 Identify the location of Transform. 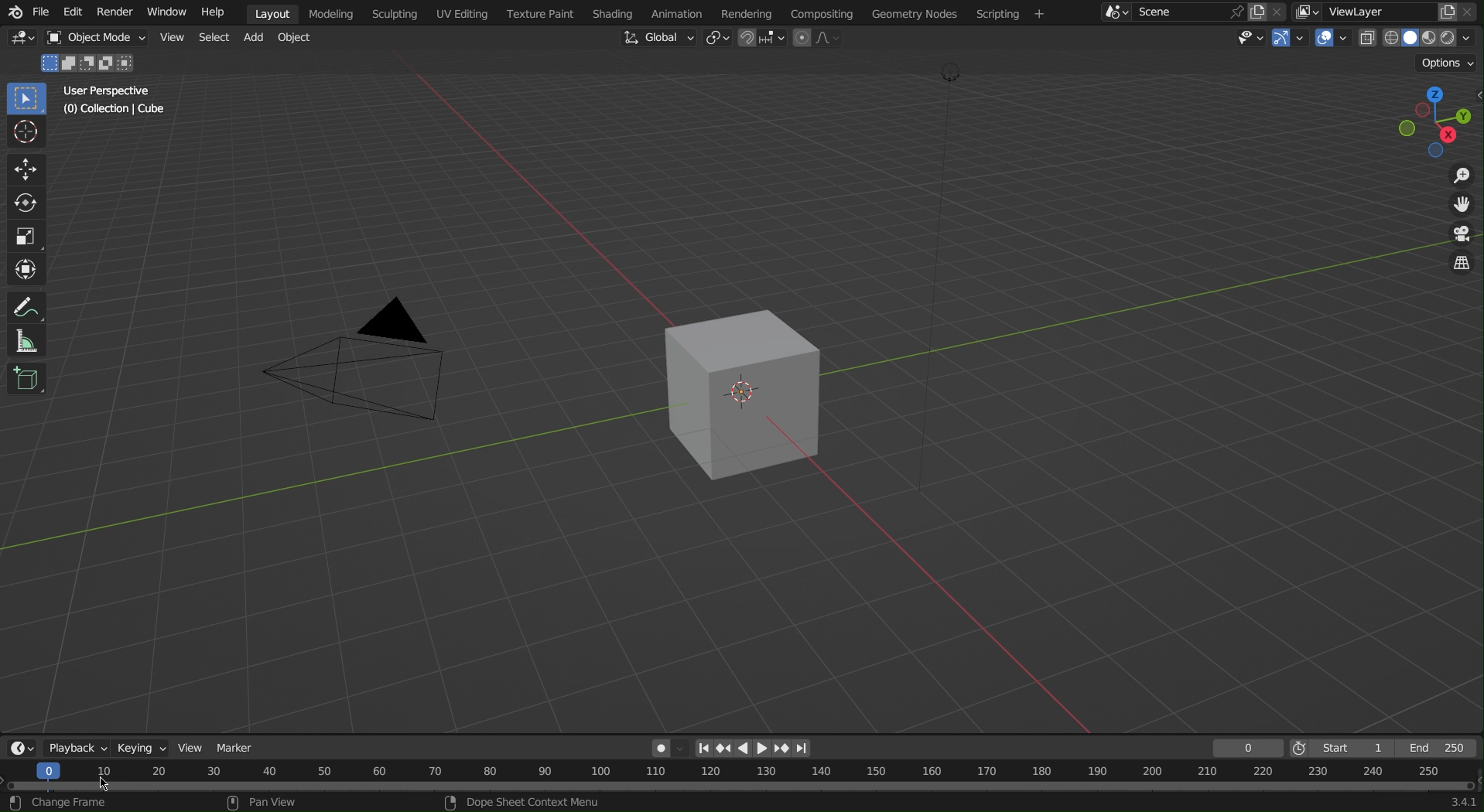
(24, 268).